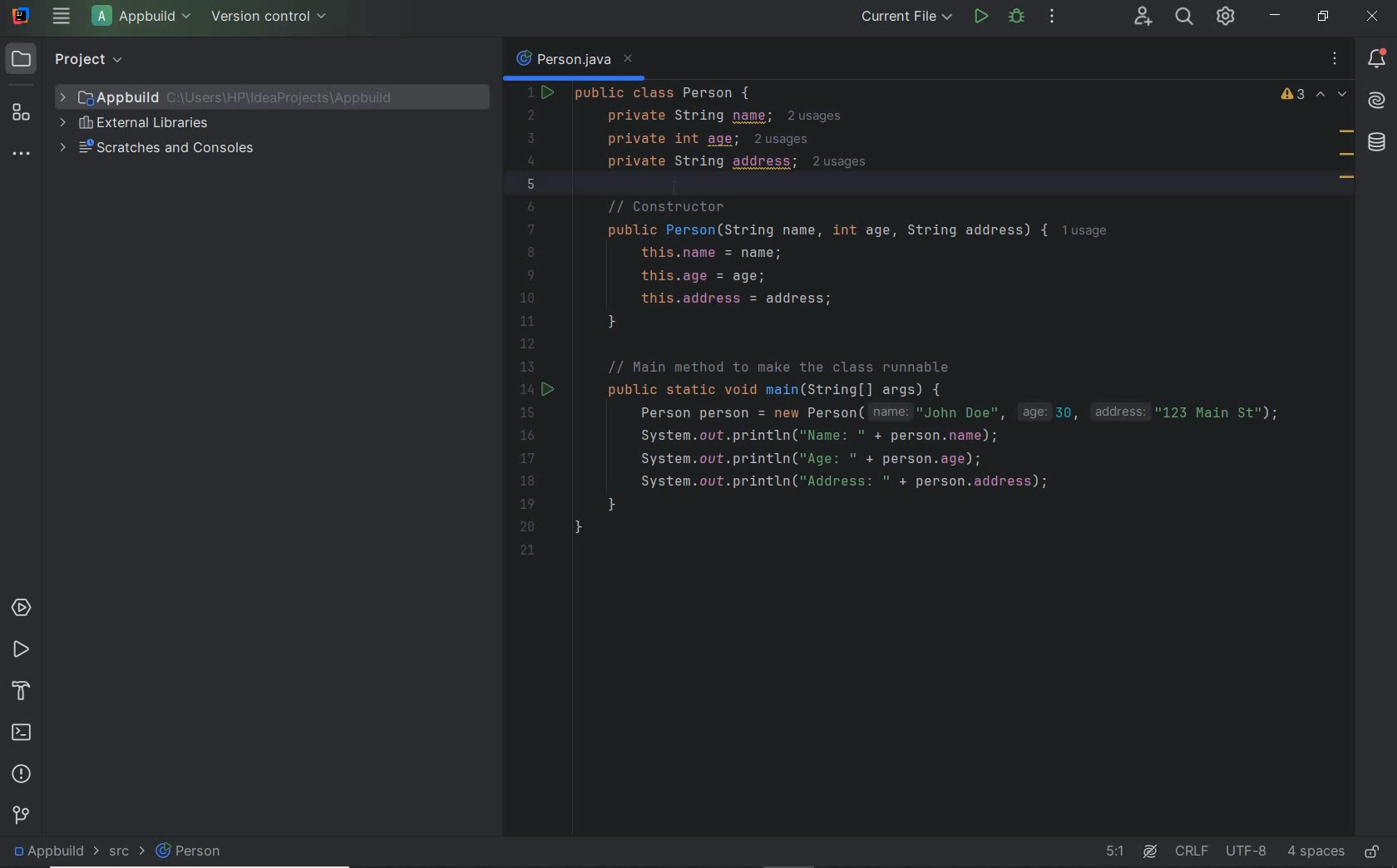 This screenshot has width=1397, height=868. I want to click on project file name, so click(47, 850).